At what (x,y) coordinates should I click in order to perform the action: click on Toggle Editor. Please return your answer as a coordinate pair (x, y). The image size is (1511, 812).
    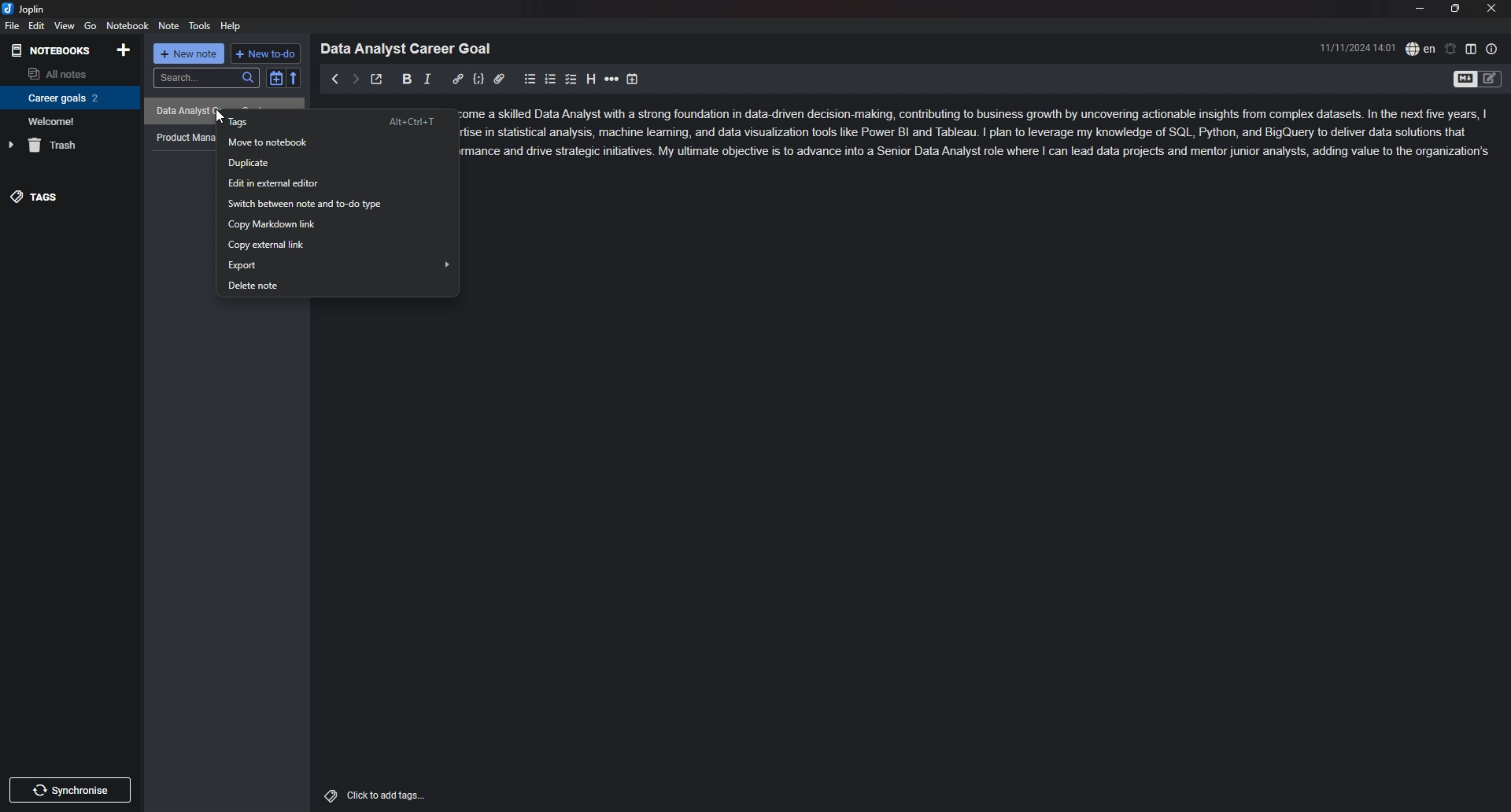
    Looking at the image, I should click on (1491, 80).